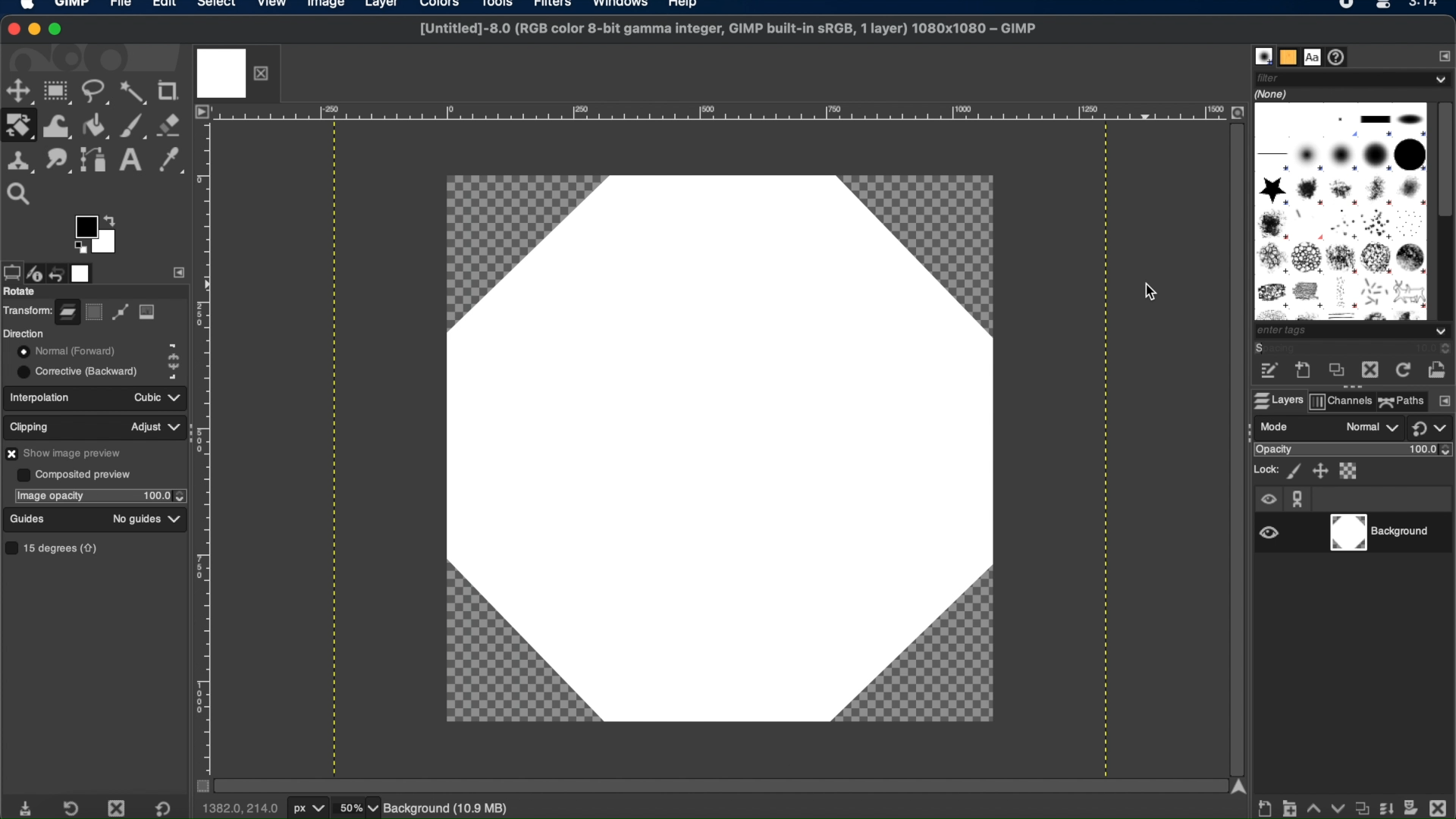 This screenshot has width=1456, height=819. I want to click on configure this tab, so click(1444, 402).